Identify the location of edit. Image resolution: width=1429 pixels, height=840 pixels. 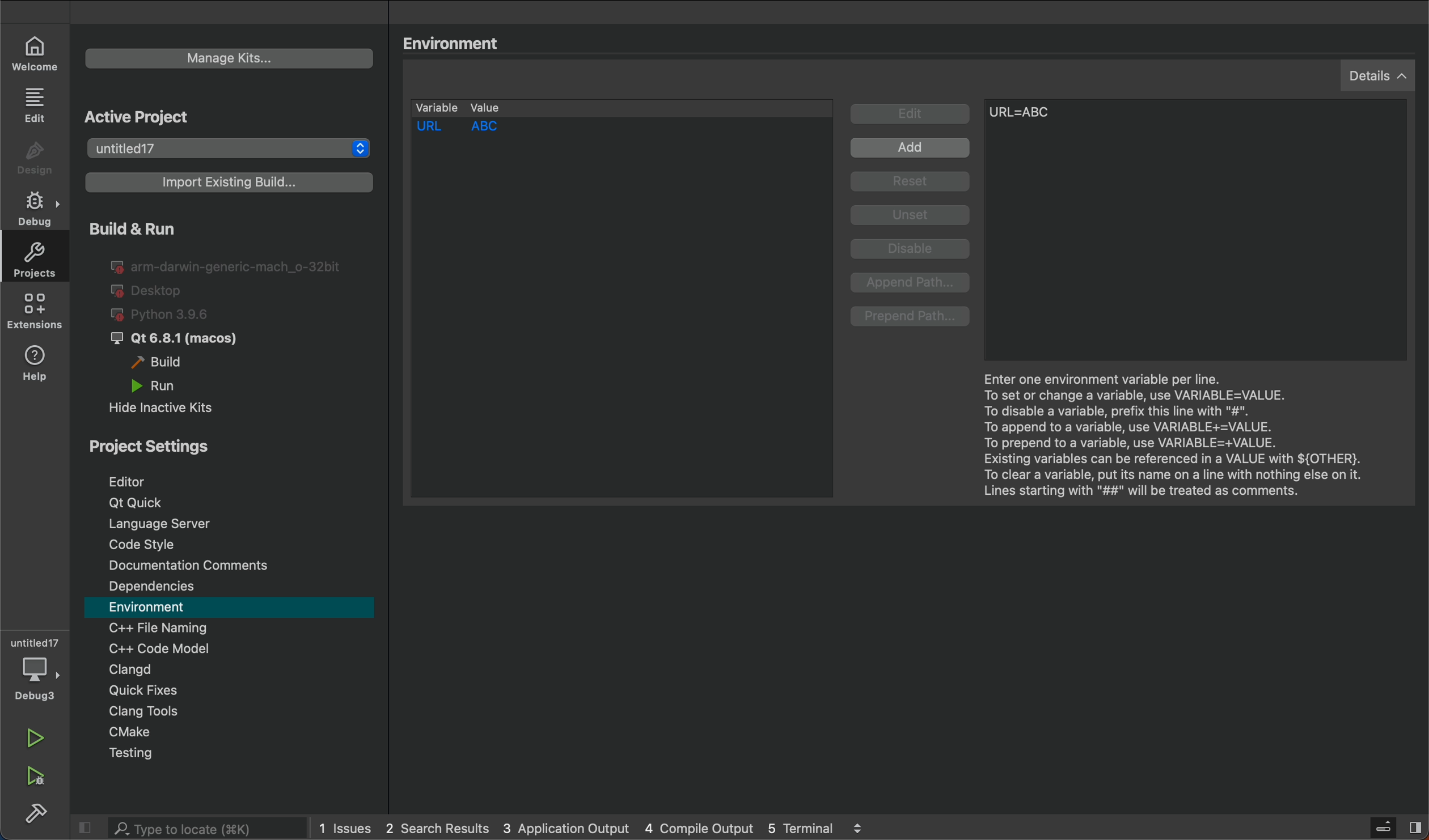
(39, 104).